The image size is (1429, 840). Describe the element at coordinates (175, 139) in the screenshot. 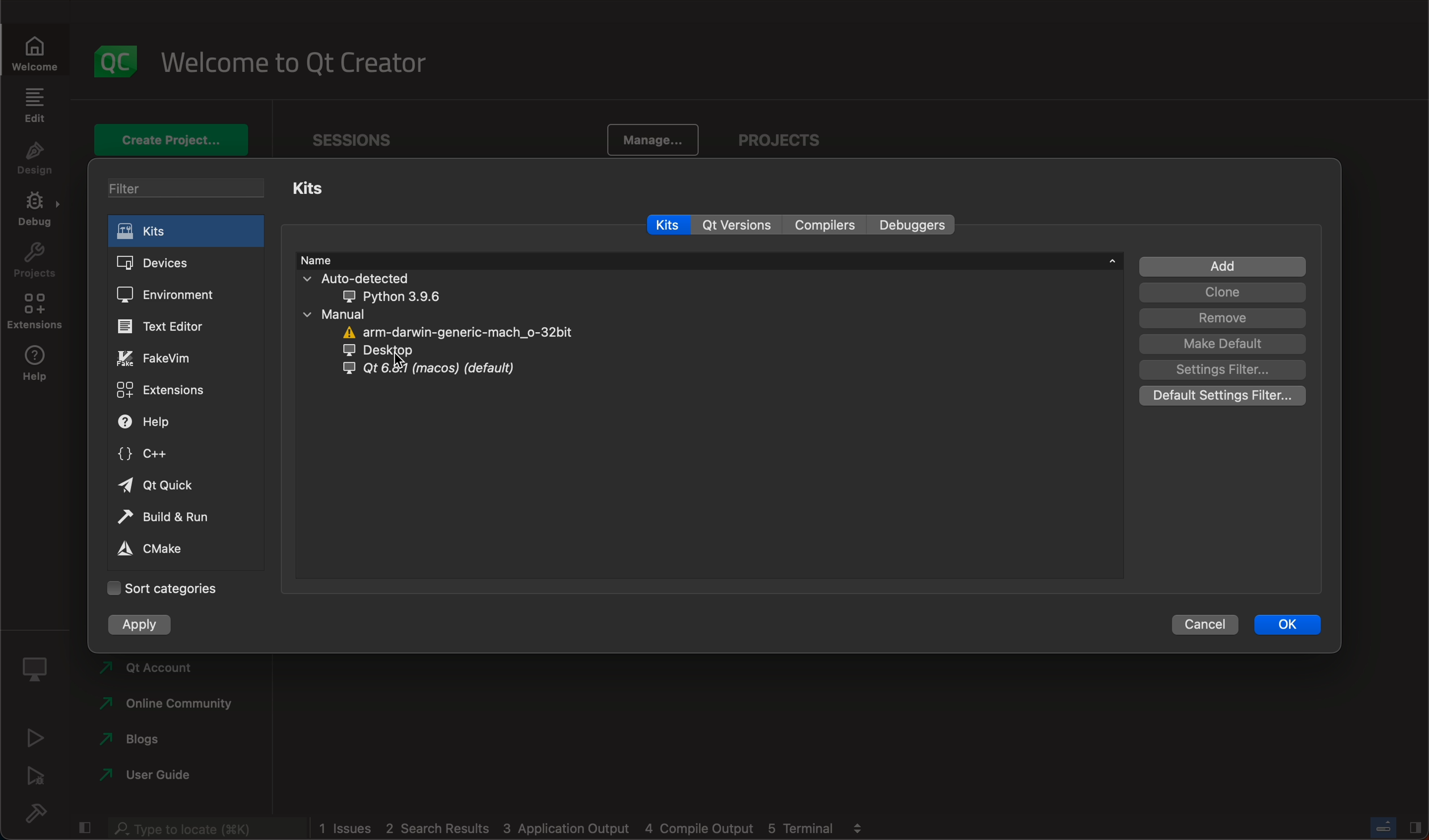

I see `create project` at that location.